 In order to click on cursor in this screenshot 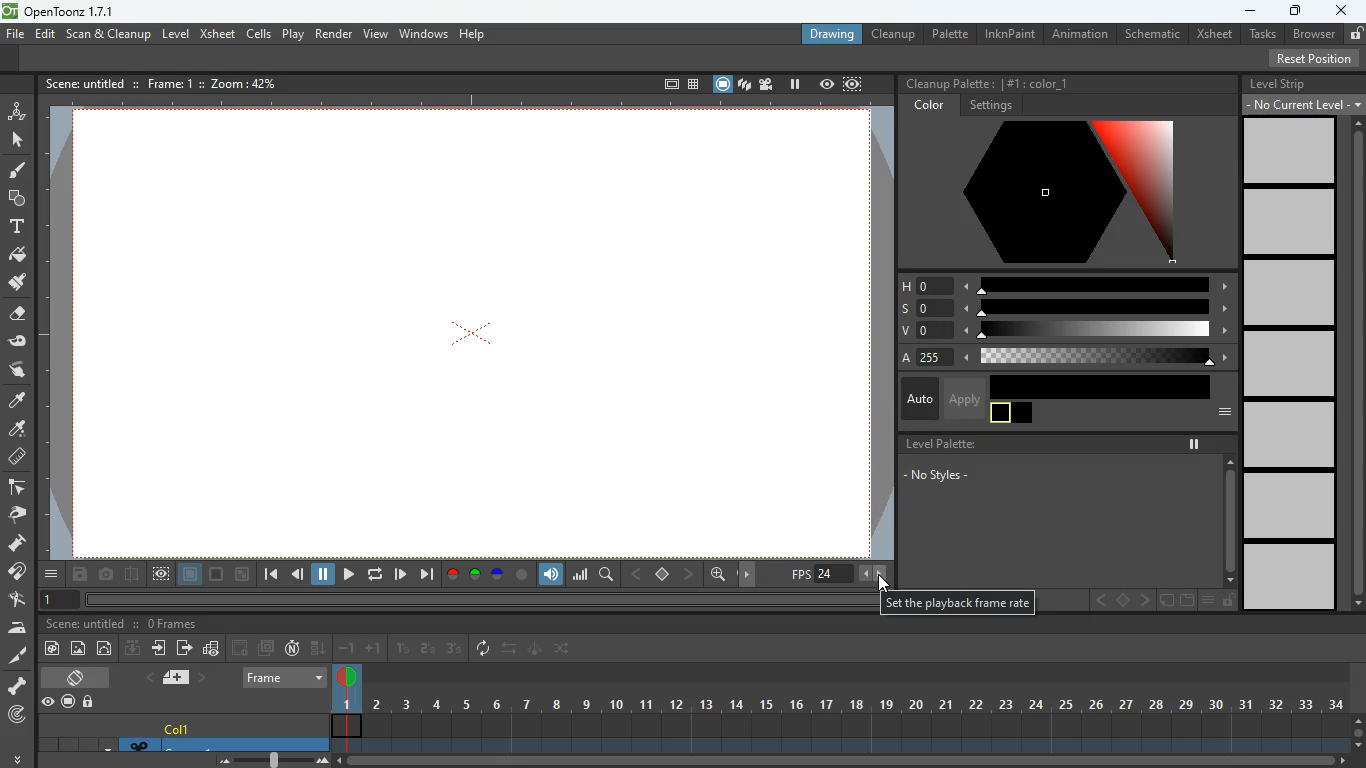, I will do `click(887, 580)`.